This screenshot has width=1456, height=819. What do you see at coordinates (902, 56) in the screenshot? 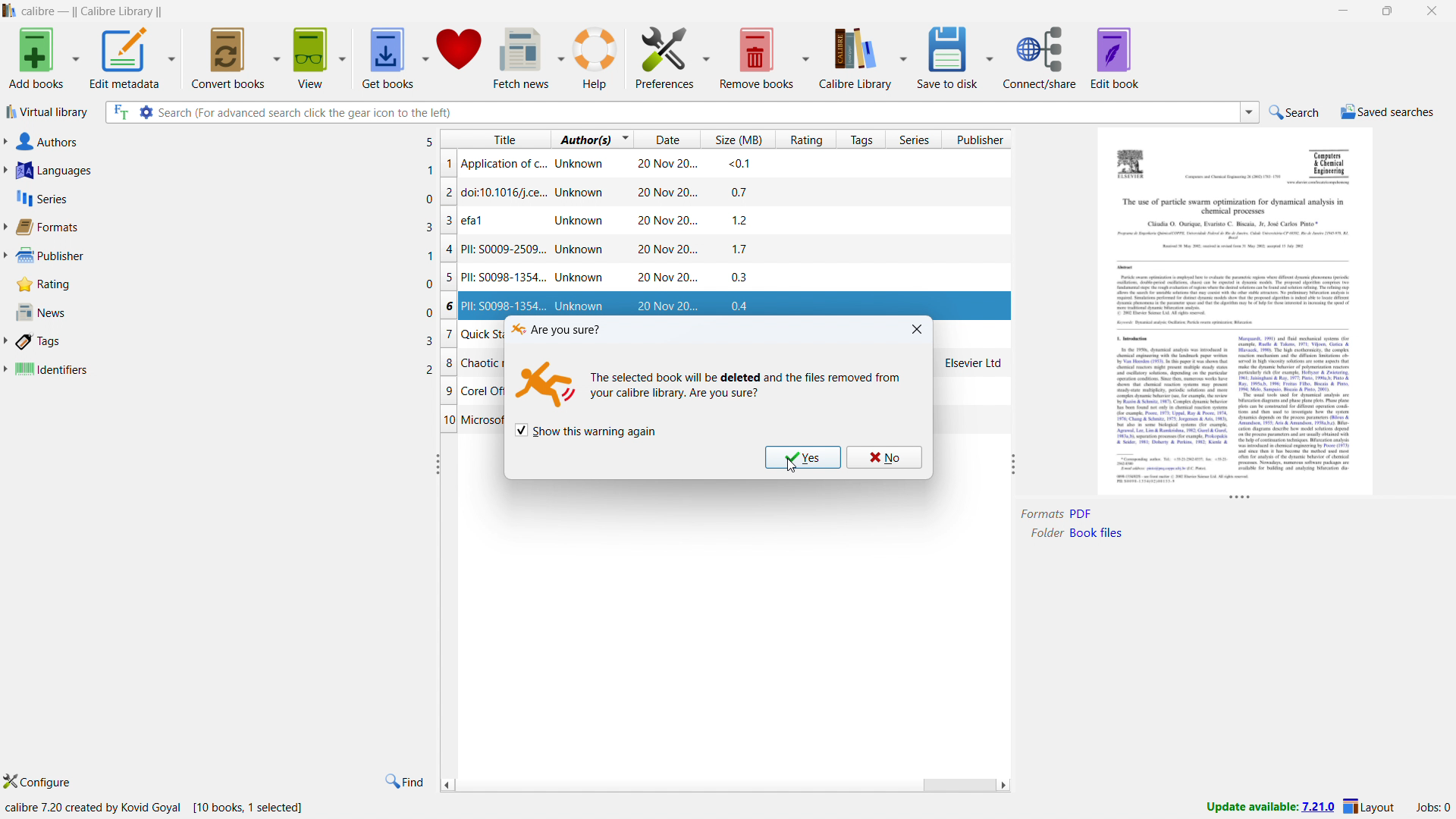
I see `calibre library options` at bounding box center [902, 56].